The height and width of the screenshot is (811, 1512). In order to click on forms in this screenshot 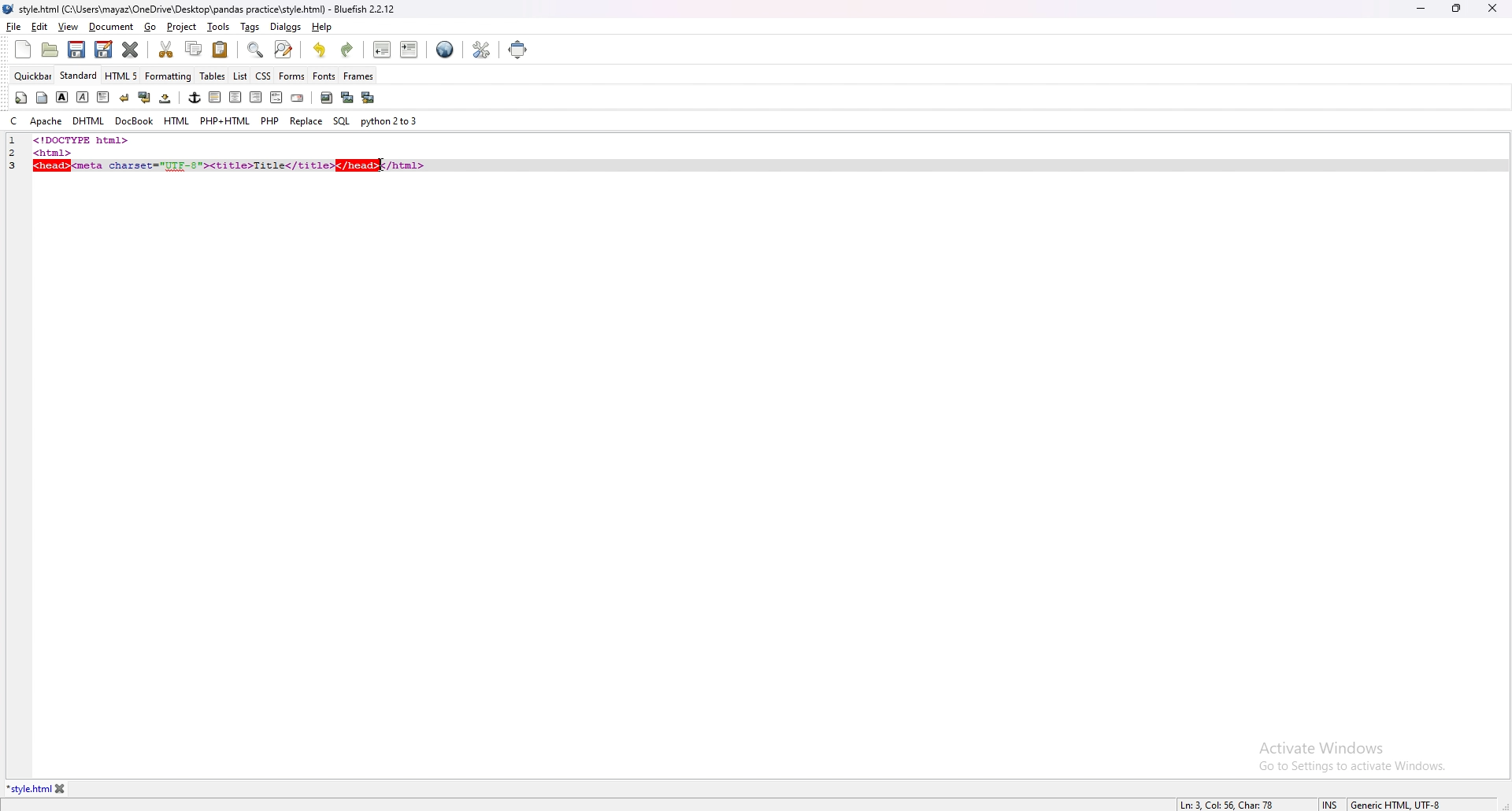, I will do `click(292, 75)`.